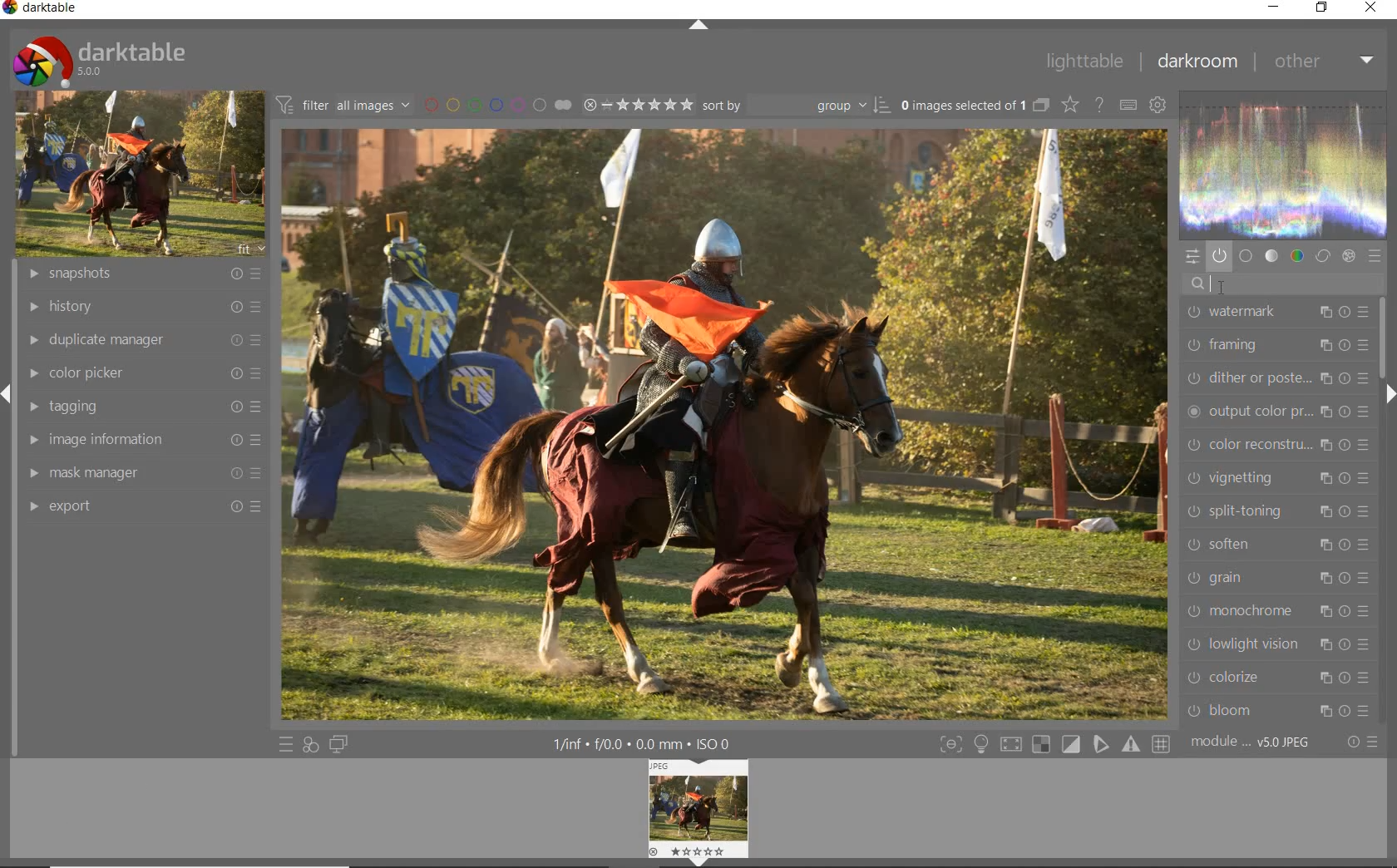 This screenshot has width=1397, height=868. What do you see at coordinates (1157, 106) in the screenshot?
I see `show global preferences` at bounding box center [1157, 106].